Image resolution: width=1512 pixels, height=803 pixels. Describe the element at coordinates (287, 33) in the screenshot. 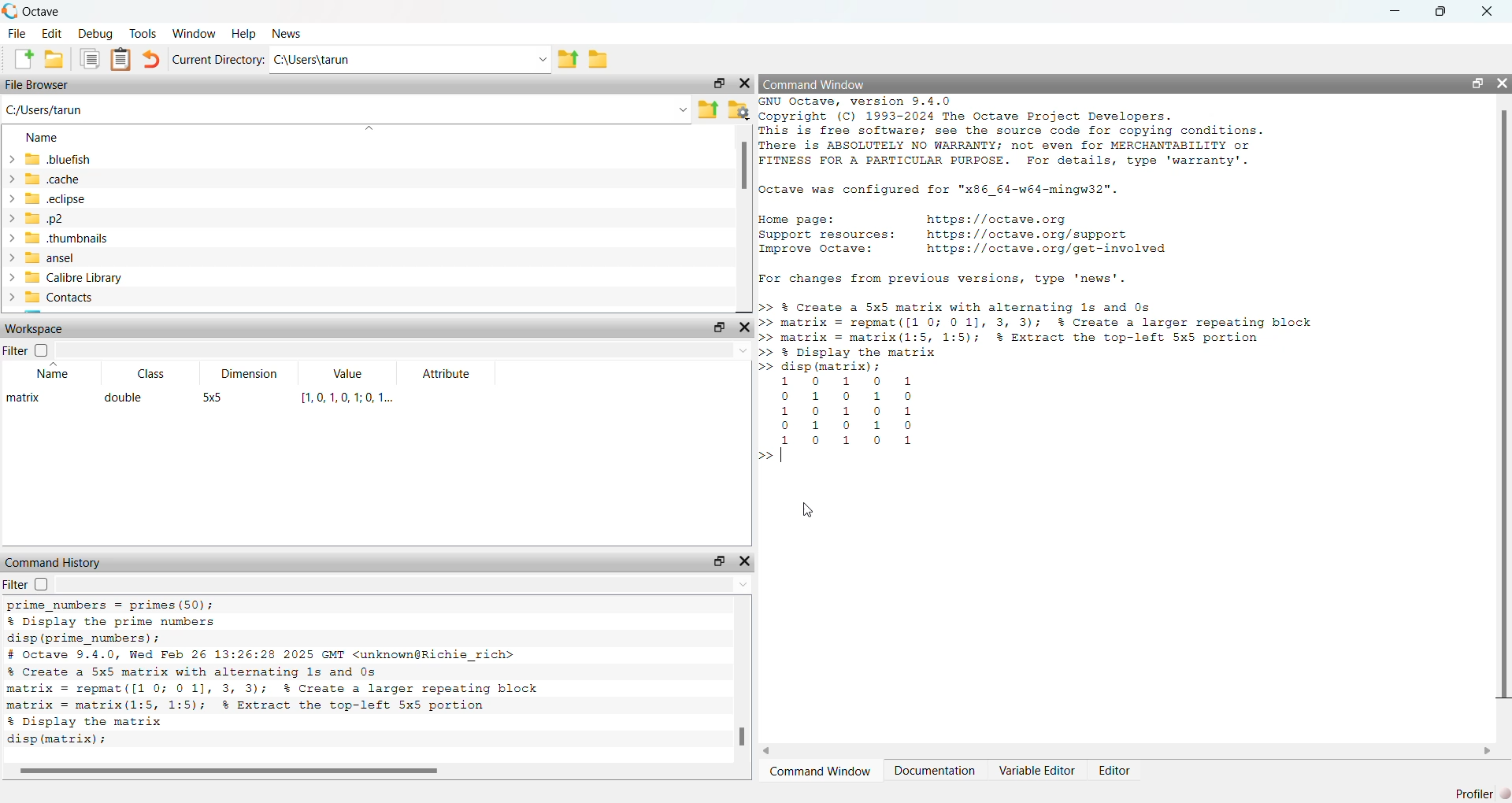

I see `News` at that location.